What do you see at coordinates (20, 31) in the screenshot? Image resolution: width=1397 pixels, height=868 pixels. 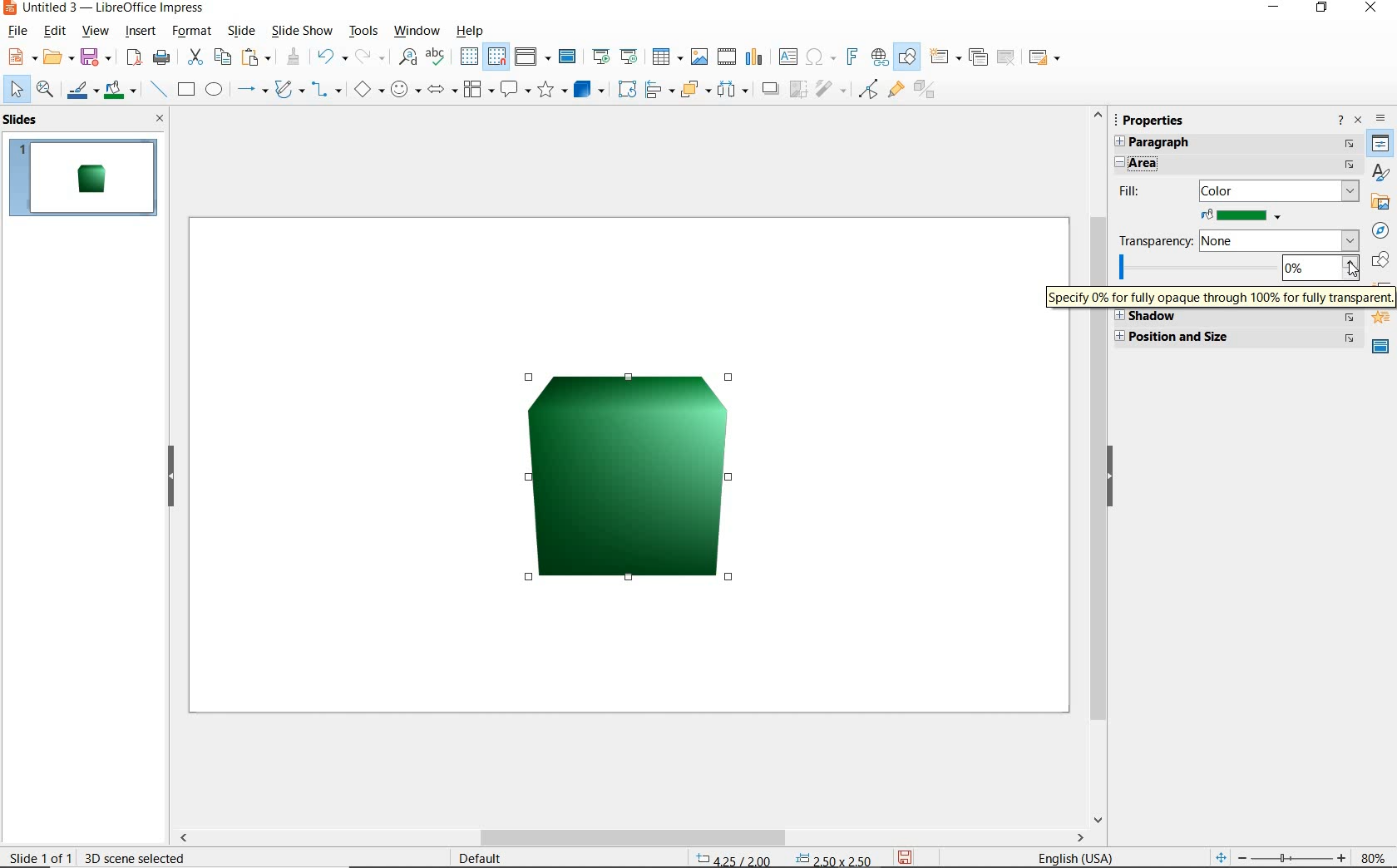 I see `file` at bounding box center [20, 31].